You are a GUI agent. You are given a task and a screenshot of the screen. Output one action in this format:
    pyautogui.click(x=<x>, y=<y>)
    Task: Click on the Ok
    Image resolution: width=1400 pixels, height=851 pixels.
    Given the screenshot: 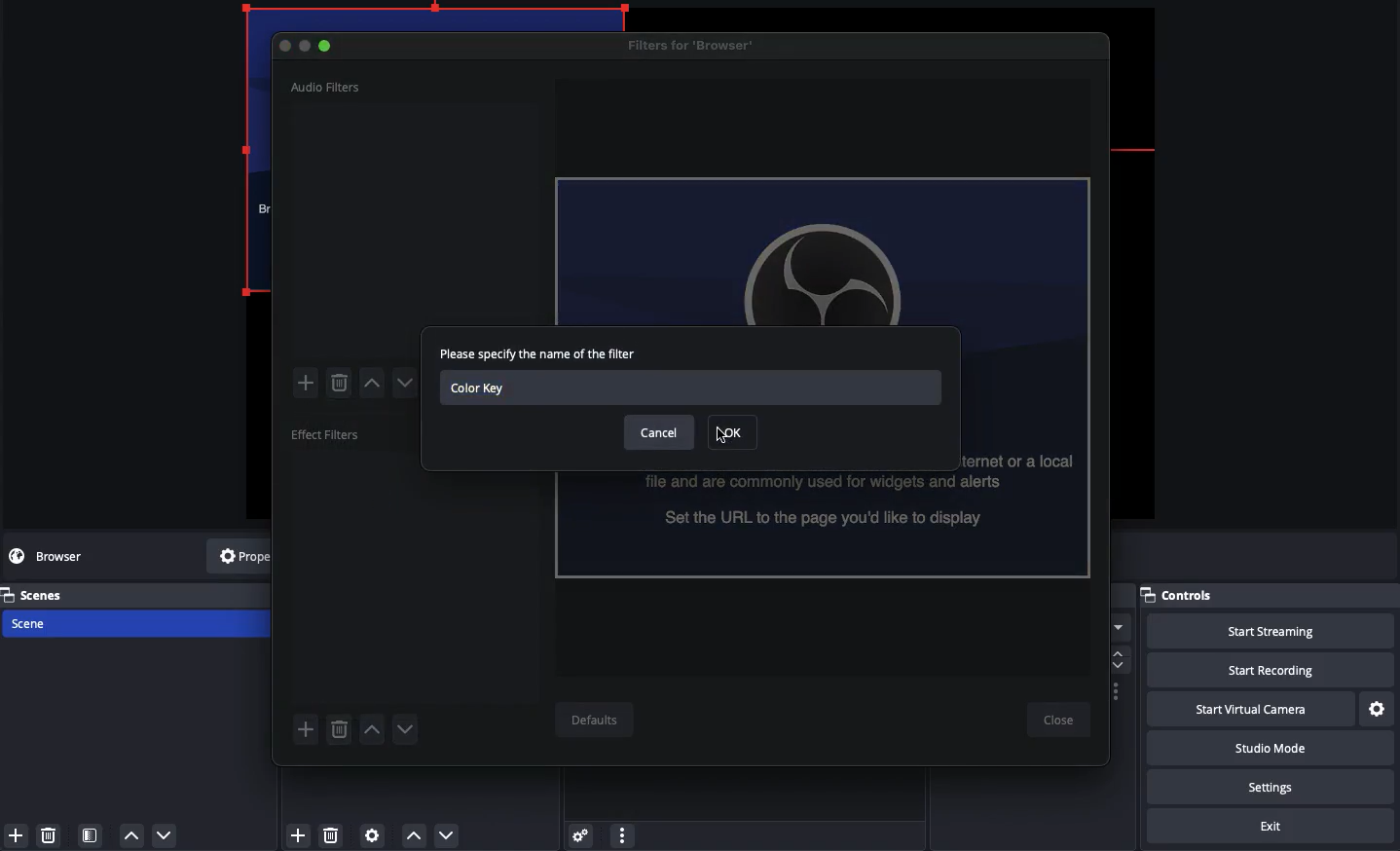 What is the action you would take?
    pyautogui.click(x=735, y=432)
    